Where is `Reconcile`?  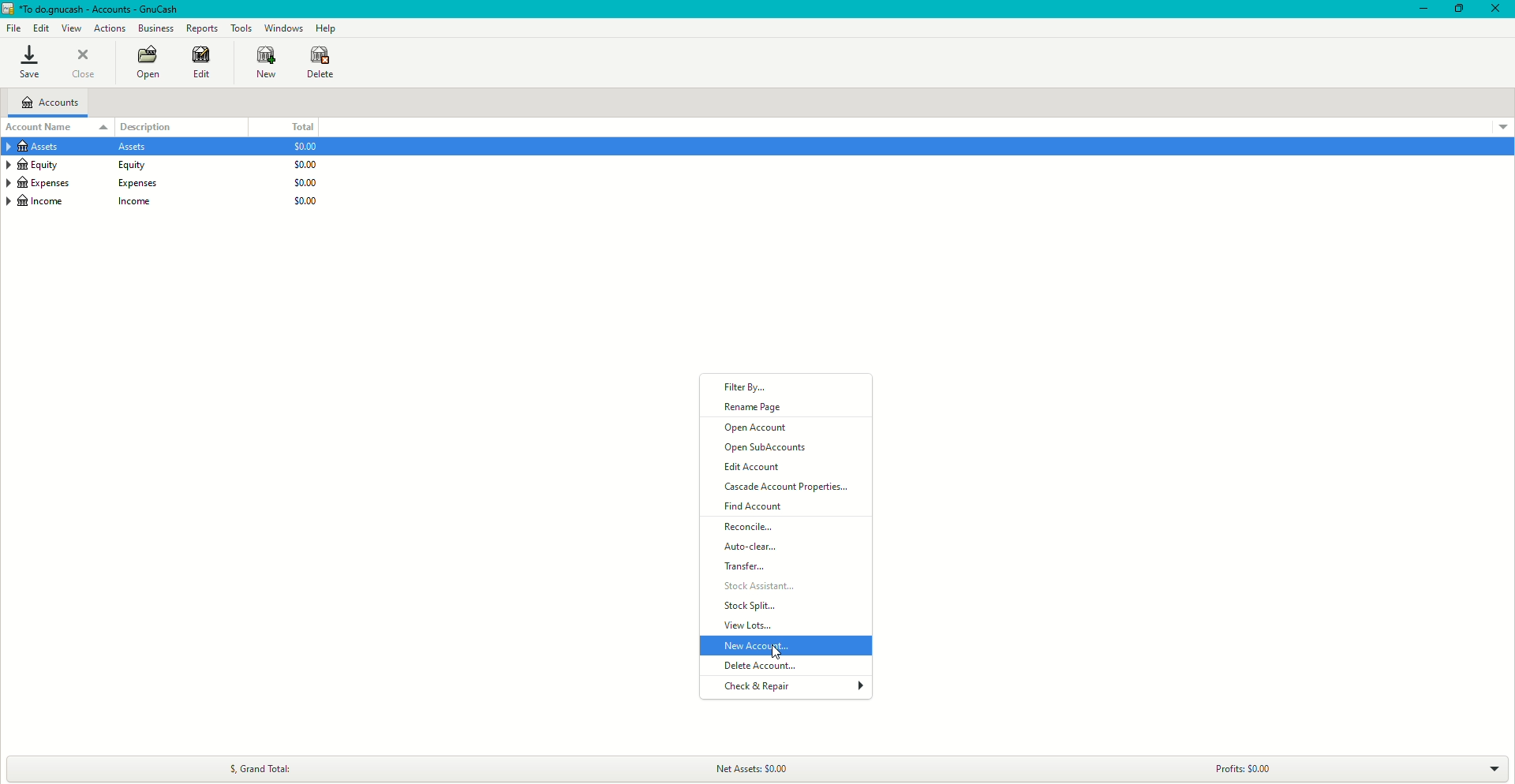 Reconcile is located at coordinates (752, 528).